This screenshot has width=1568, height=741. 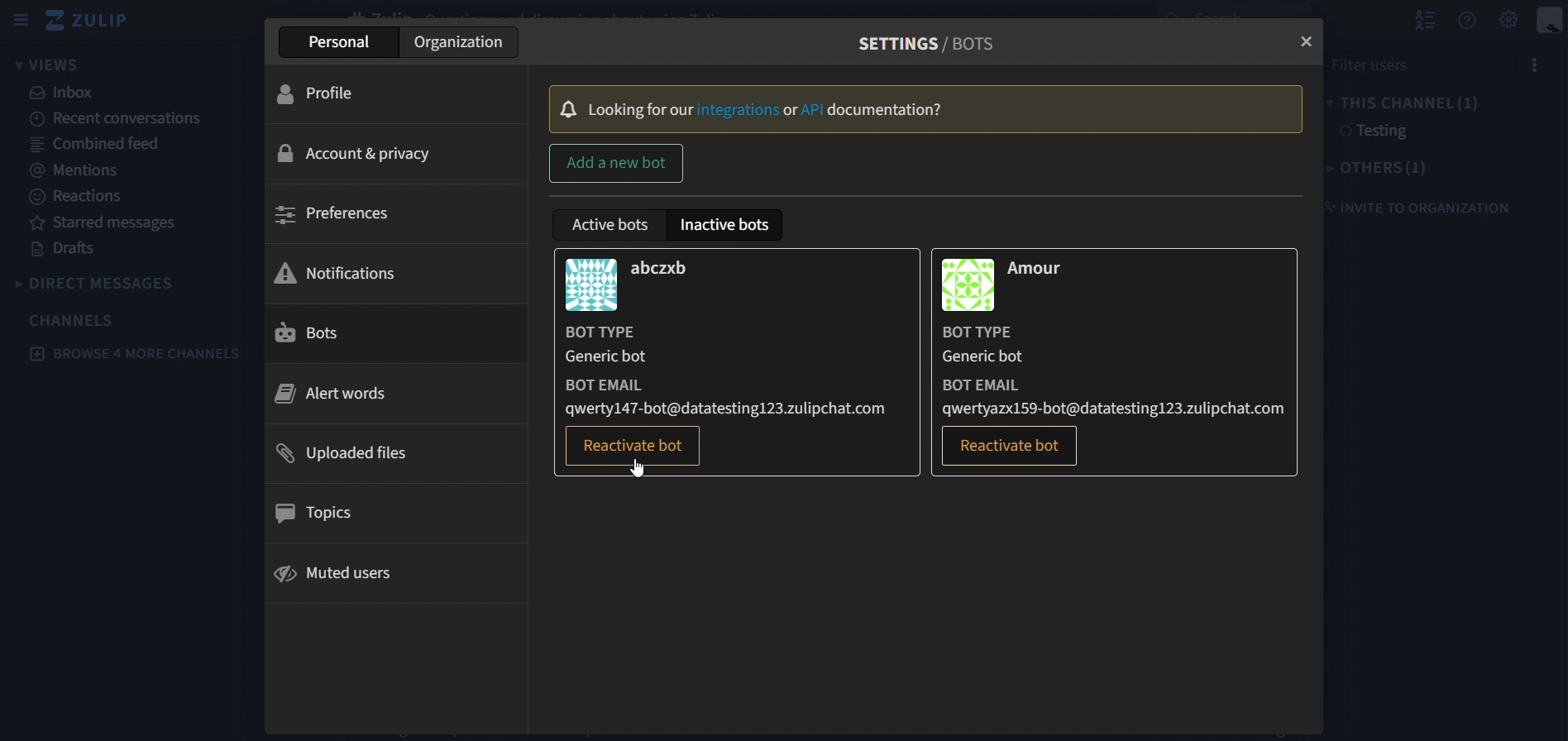 What do you see at coordinates (1308, 43) in the screenshot?
I see `close` at bounding box center [1308, 43].